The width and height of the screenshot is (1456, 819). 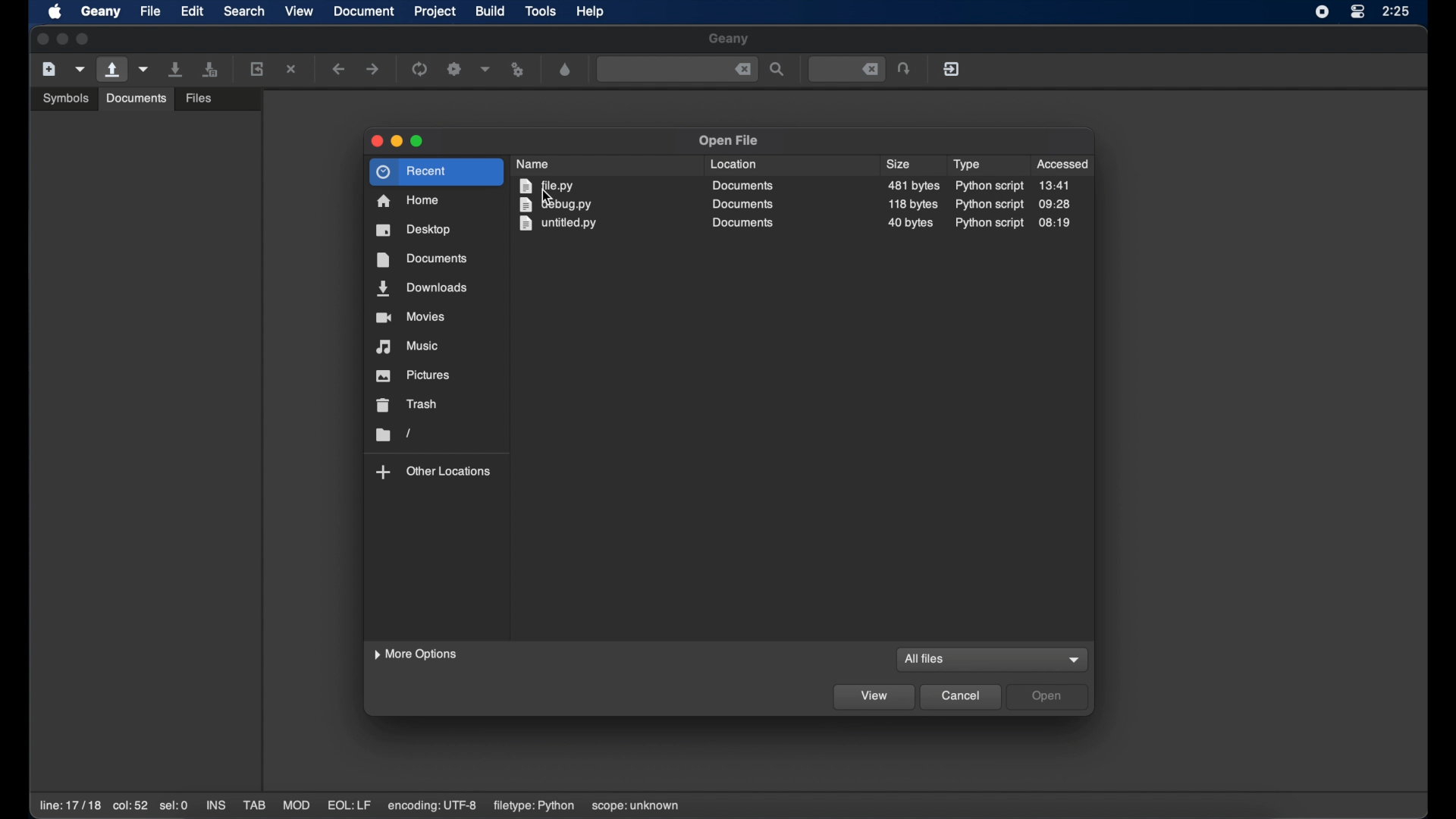 I want to click on create file from template, so click(x=81, y=69).